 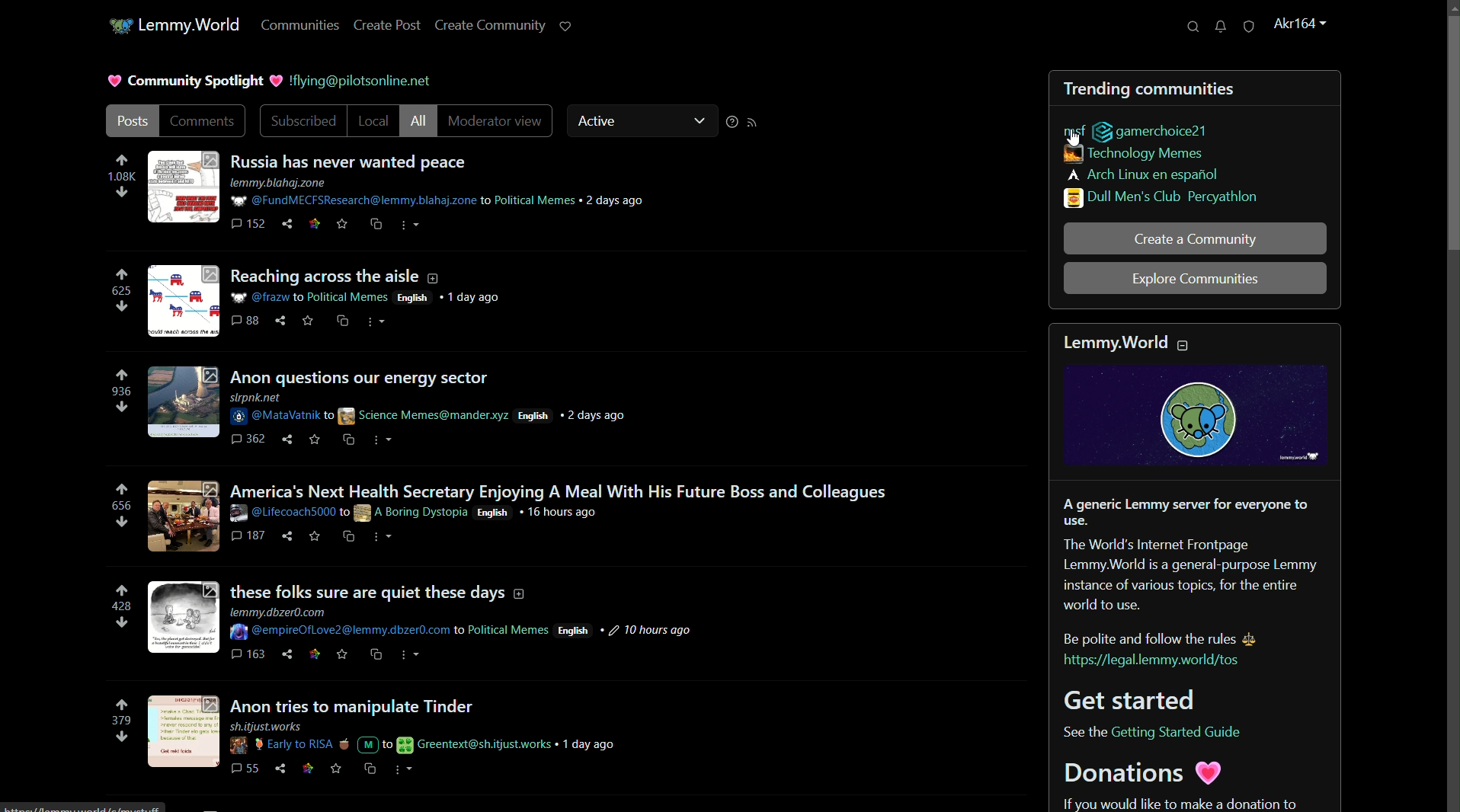 What do you see at coordinates (118, 392) in the screenshot?
I see `number of votes` at bounding box center [118, 392].